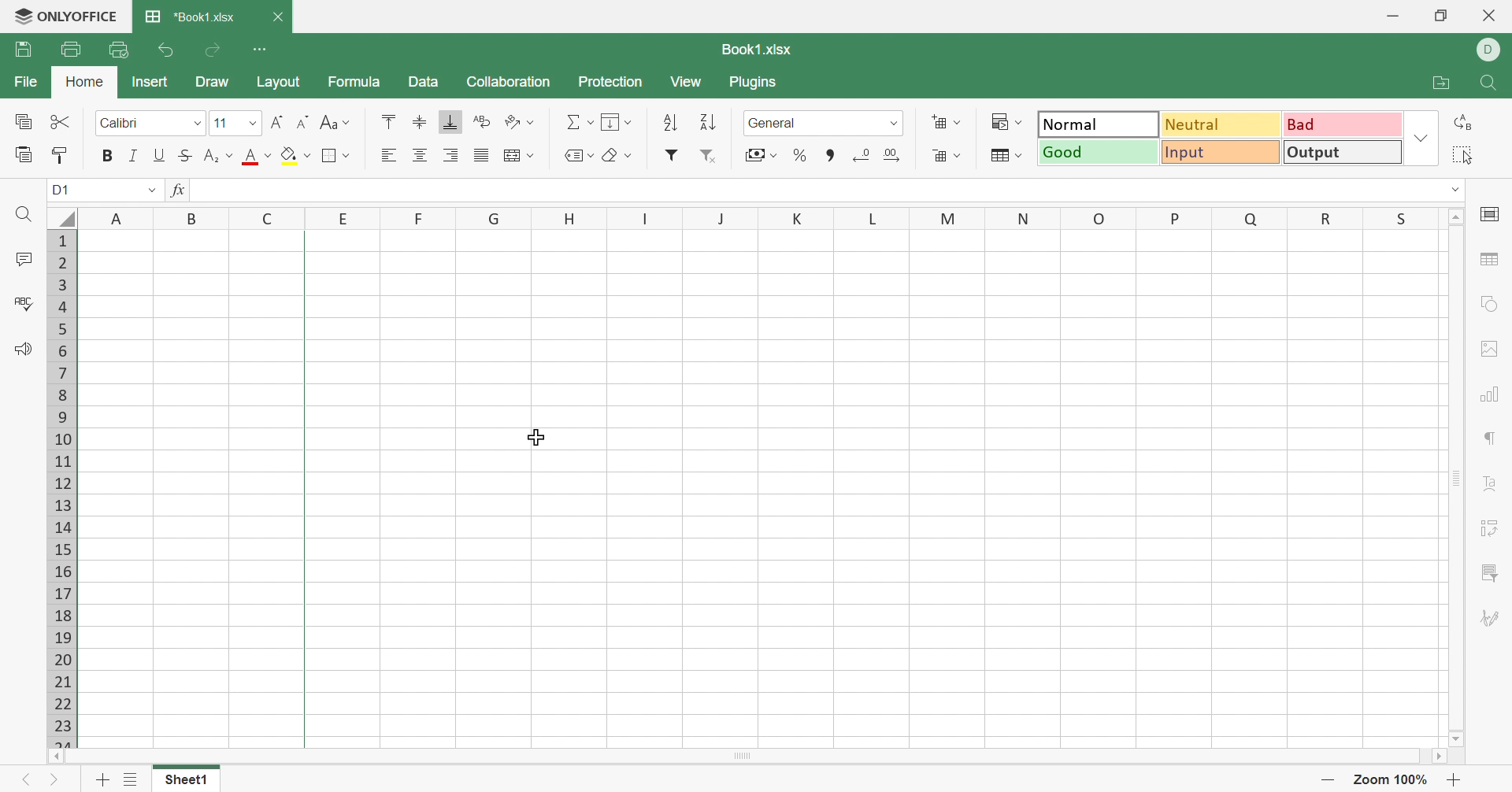 This screenshot has height=792, width=1512. Describe the element at coordinates (282, 83) in the screenshot. I see `Layout` at that location.